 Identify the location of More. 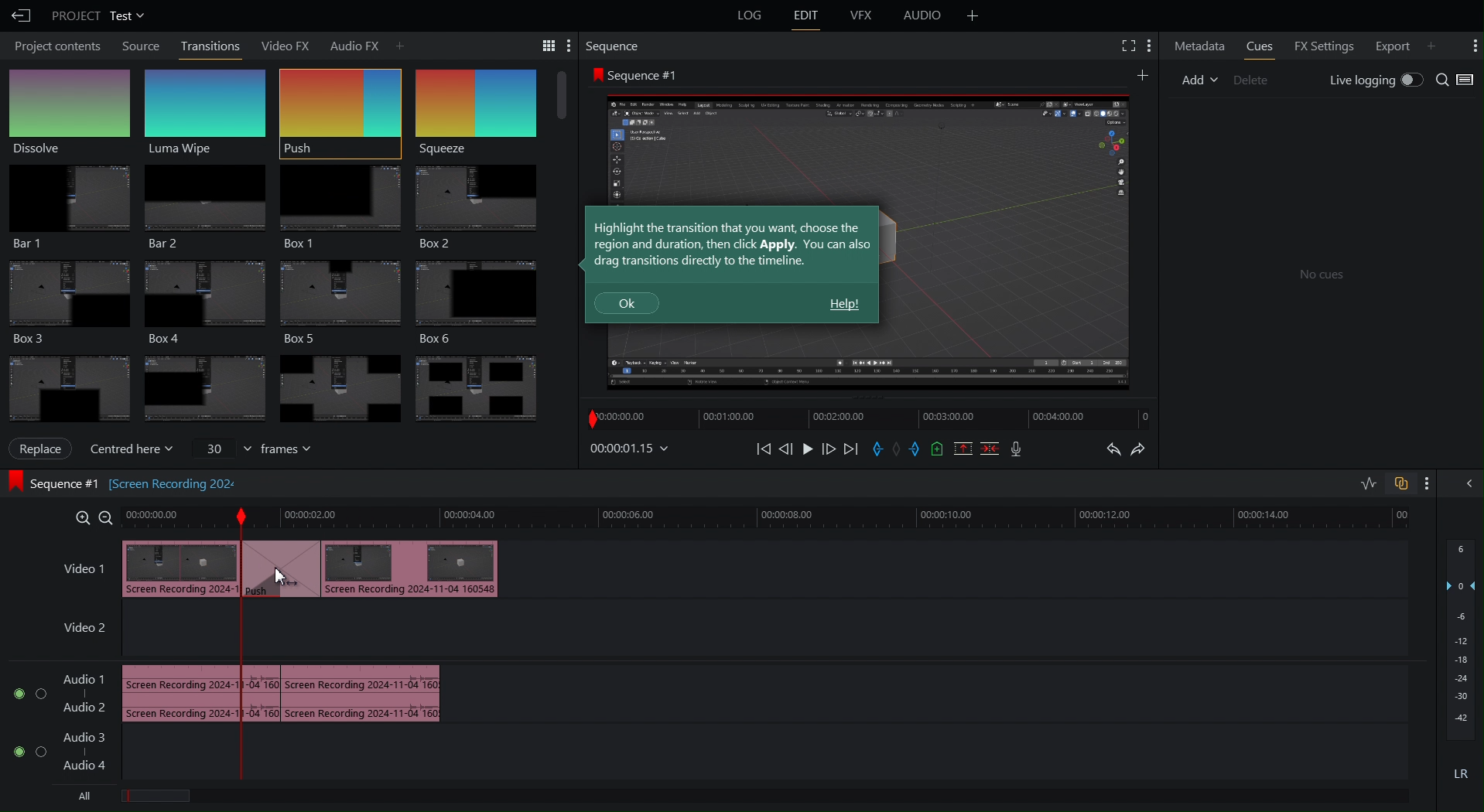
(1148, 45).